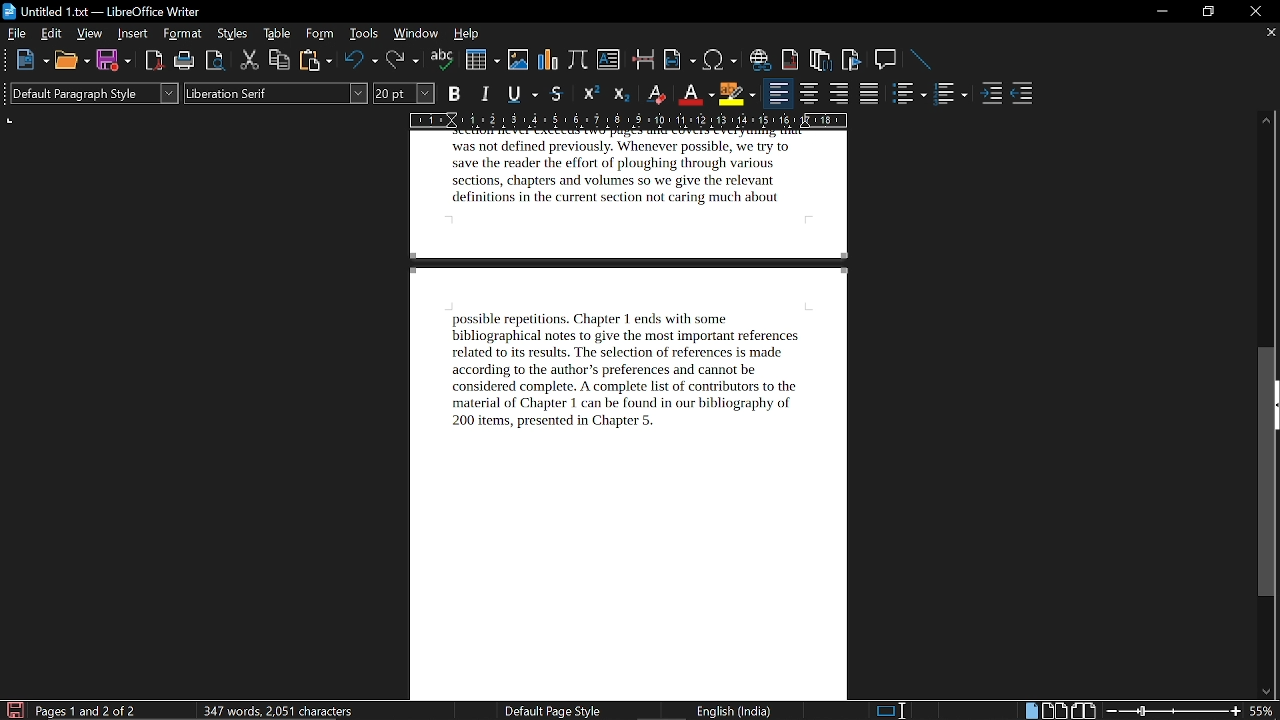 Image resolution: width=1280 pixels, height=720 pixels. Describe the element at coordinates (276, 710) in the screenshot. I see `words and characters` at that location.